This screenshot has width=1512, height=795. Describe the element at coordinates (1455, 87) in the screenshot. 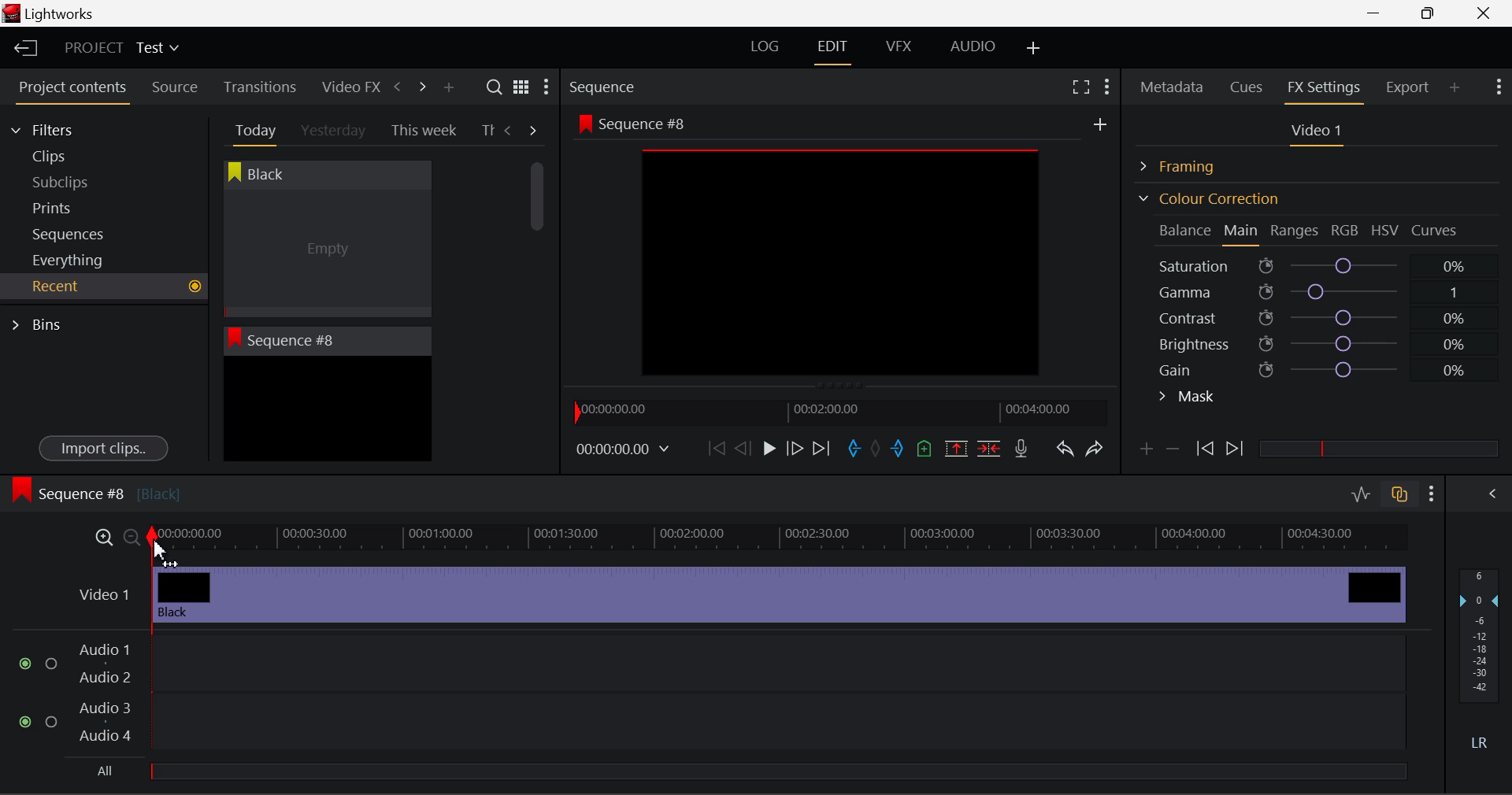

I see `Add Panel` at that location.